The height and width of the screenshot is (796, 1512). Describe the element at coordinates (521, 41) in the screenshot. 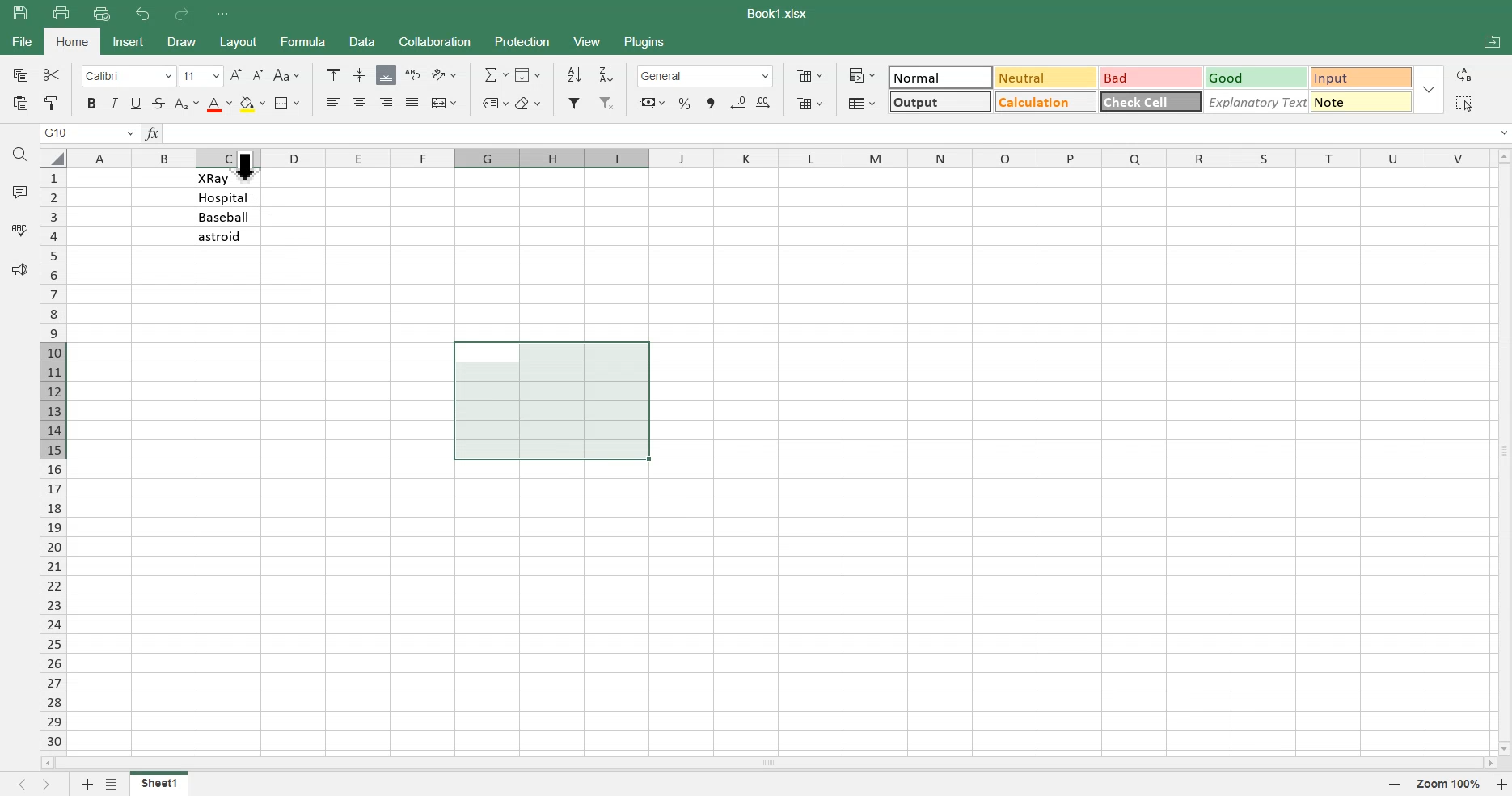

I see `Protection` at that location.